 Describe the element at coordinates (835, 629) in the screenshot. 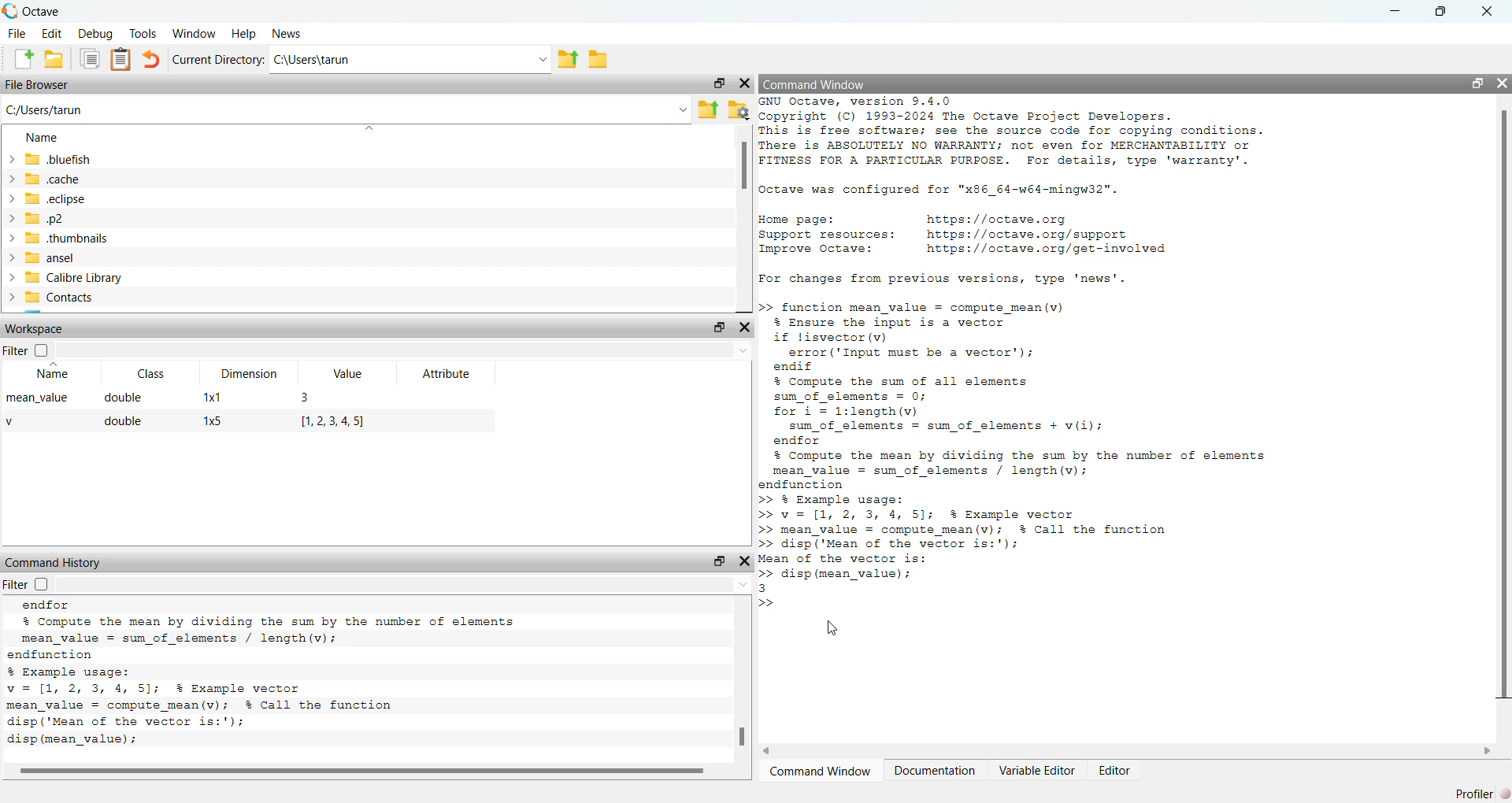

I see `cursor` at that location.